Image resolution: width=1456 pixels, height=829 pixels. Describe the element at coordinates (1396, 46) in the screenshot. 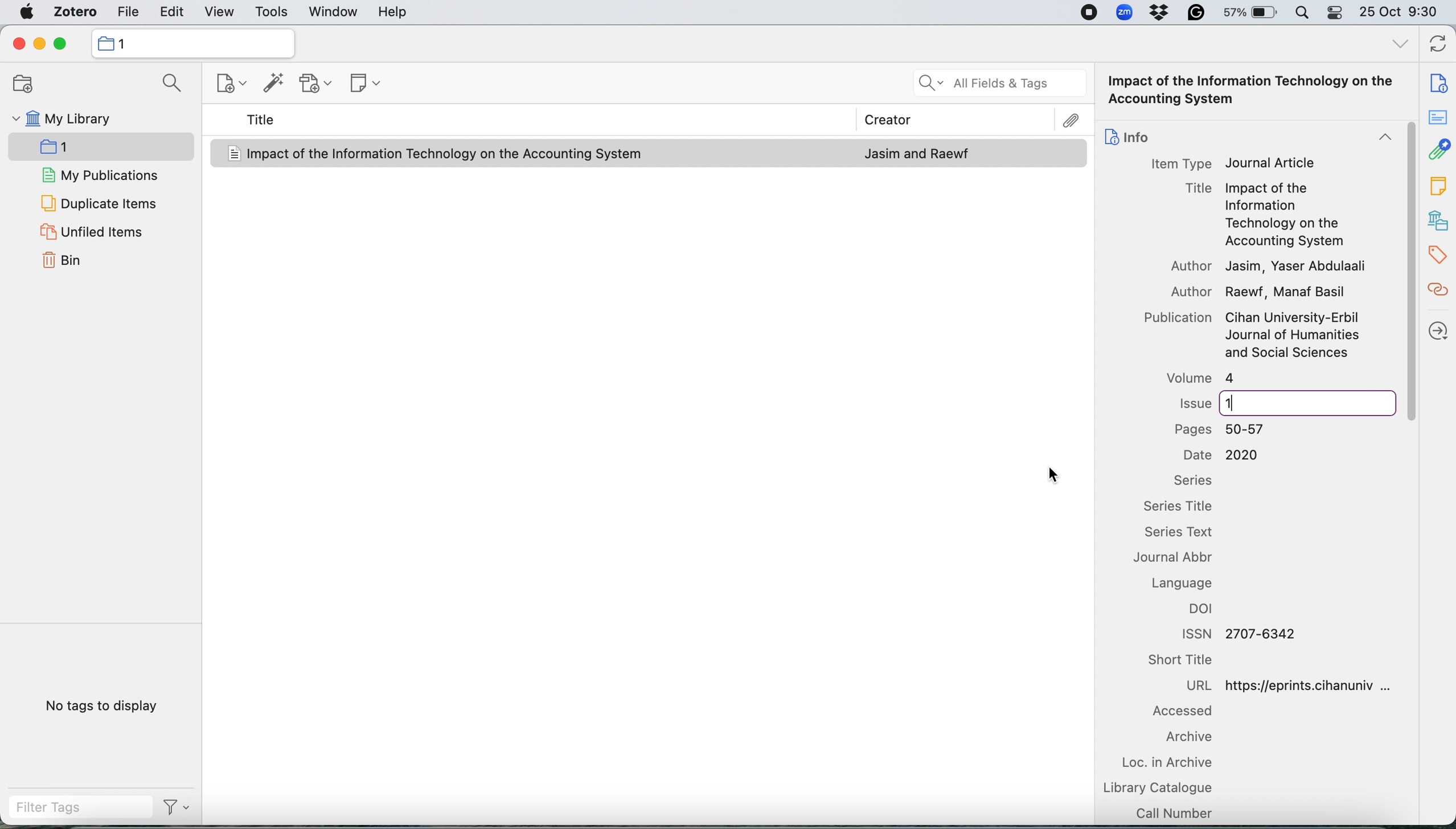

I see `list all tabs` at that location.